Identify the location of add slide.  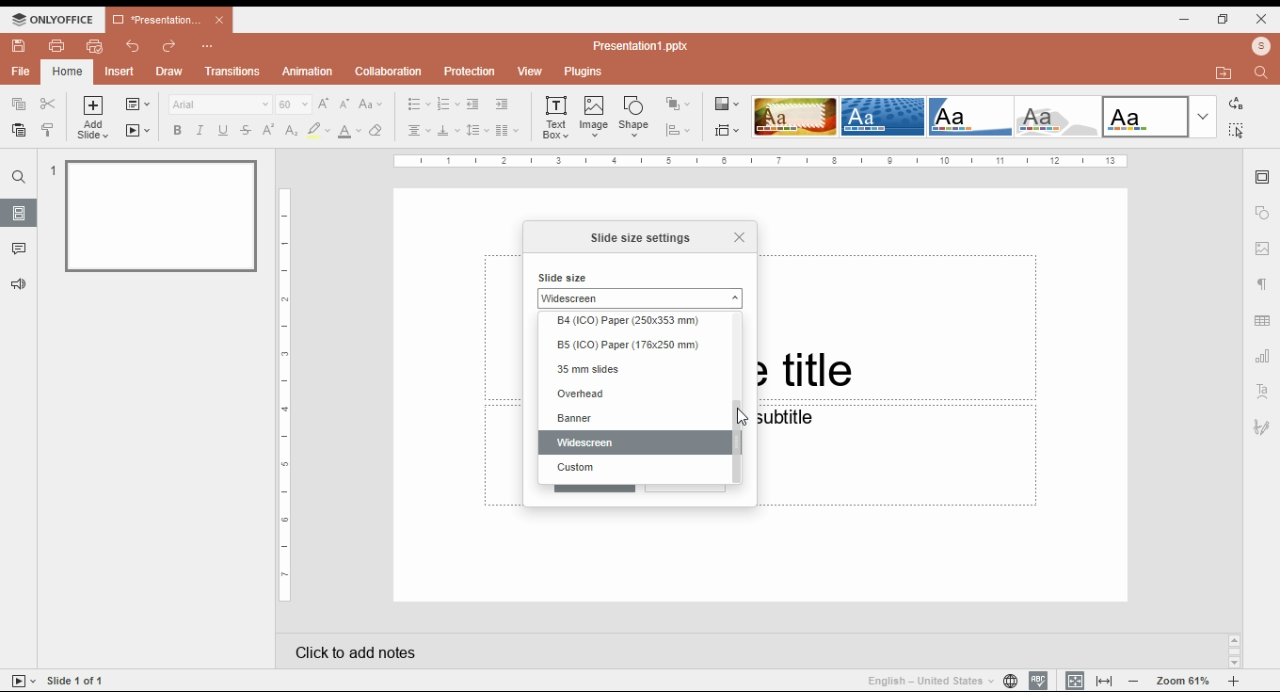
(95, 118).